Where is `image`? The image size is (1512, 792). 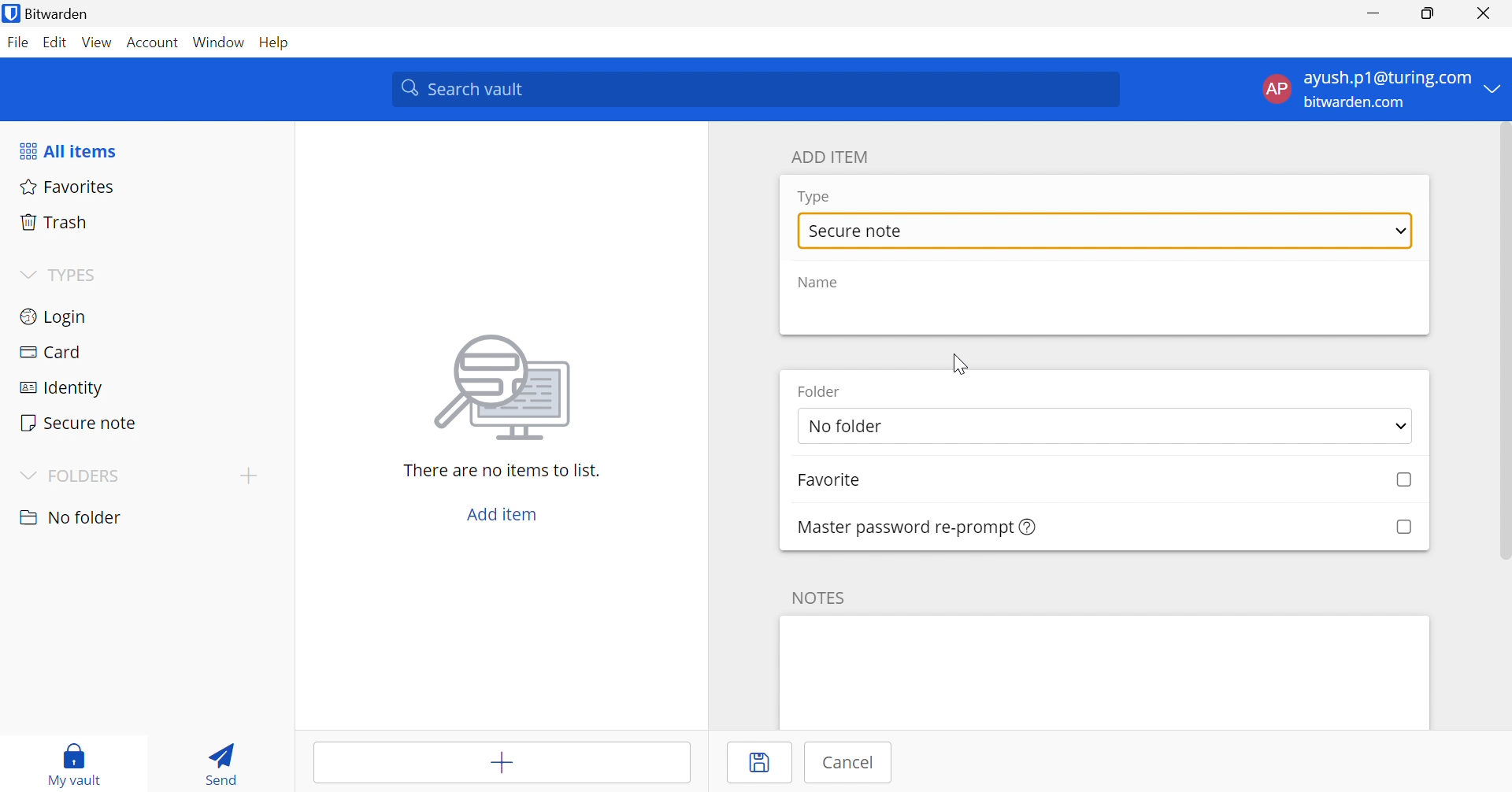 image is located at coordinates (502, 387).